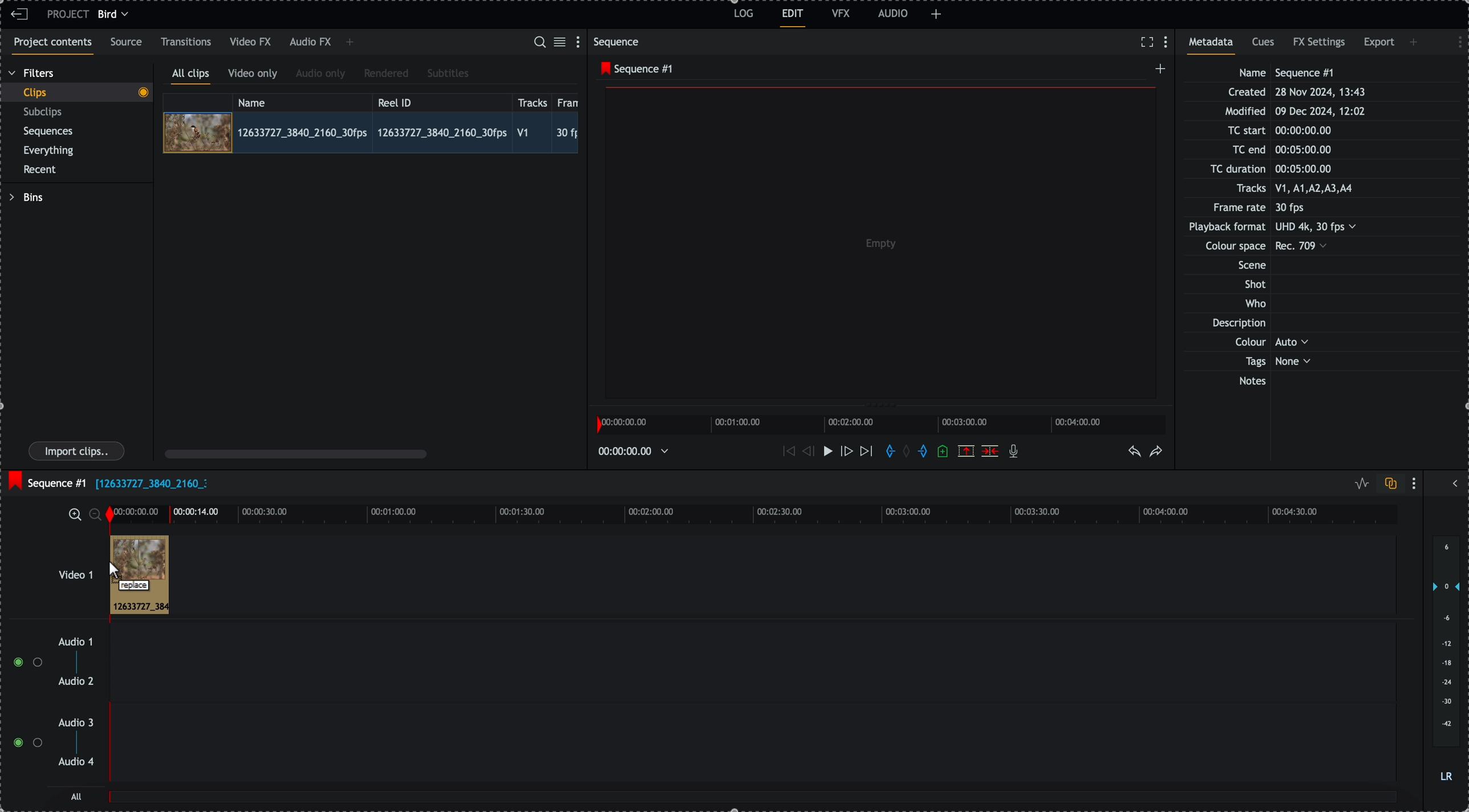 The height and width of the screenshot is (812, 1469). What do you see at coordinates (26, 197) in the screenshot?
I see `bins` at bounding box center [26, 197].